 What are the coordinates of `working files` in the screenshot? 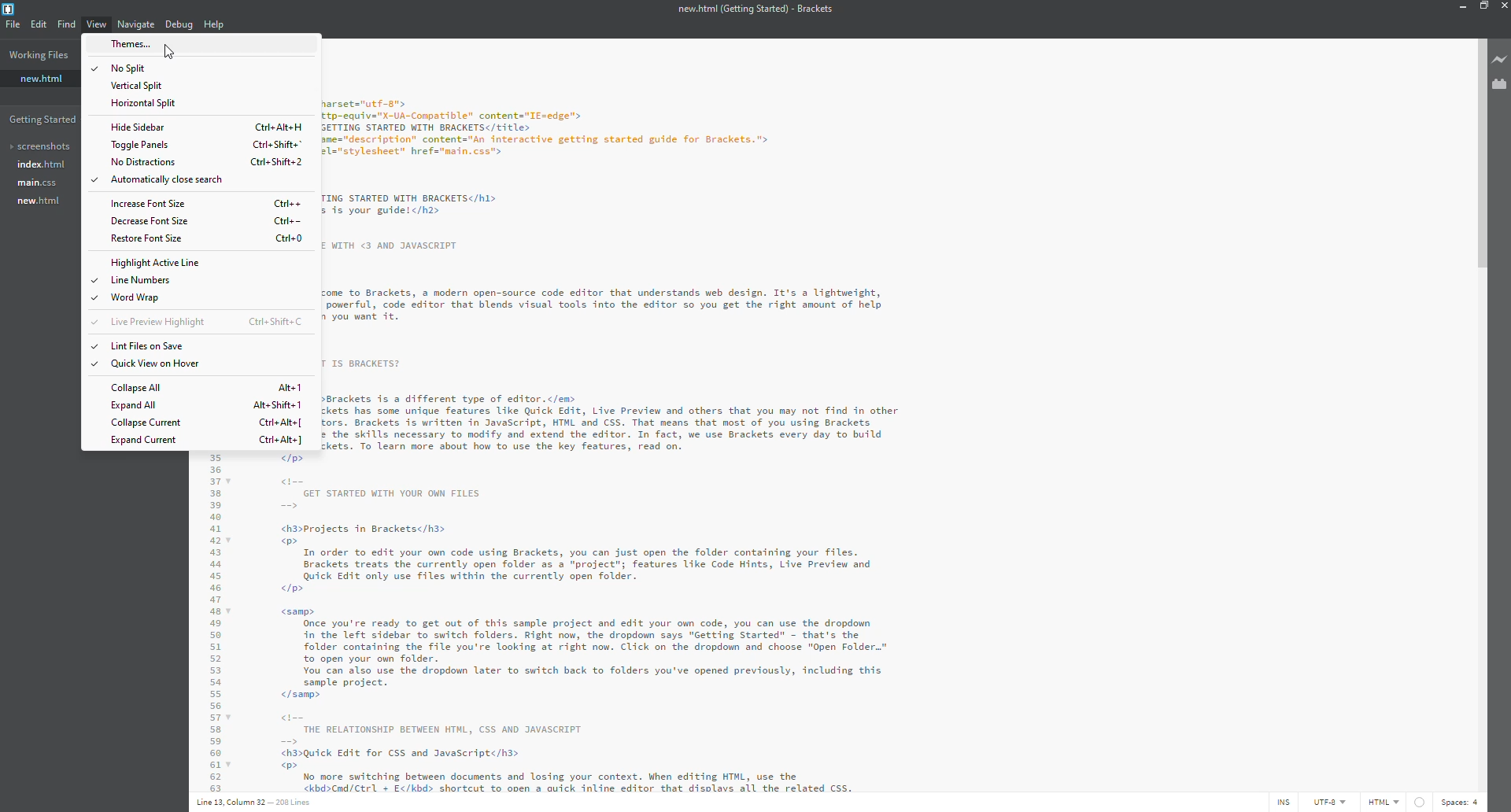 It's located at (41, 54).